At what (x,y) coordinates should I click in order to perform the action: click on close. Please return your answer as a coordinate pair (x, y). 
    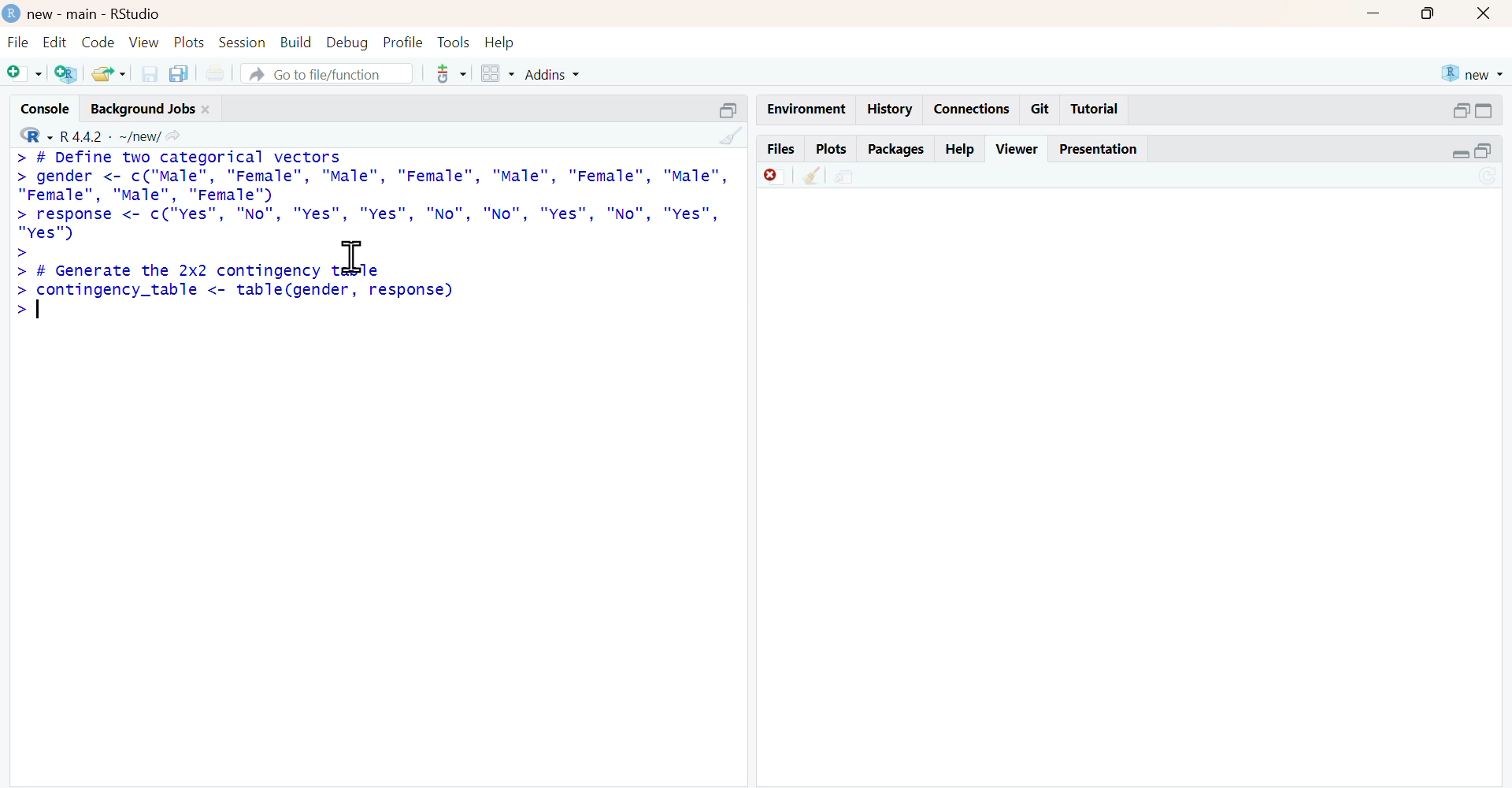
    Looking at the image, I should click on (207, 110).